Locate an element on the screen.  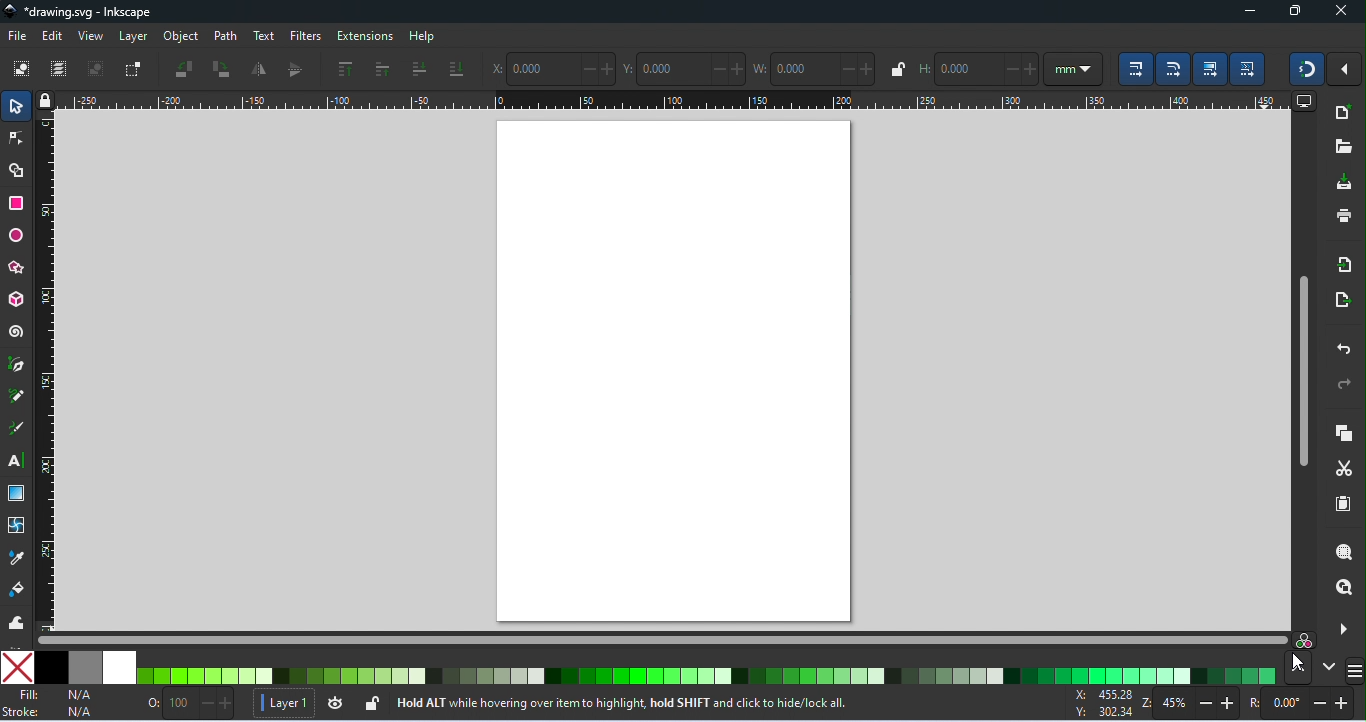
redo is located at coordinates (1340, 383).